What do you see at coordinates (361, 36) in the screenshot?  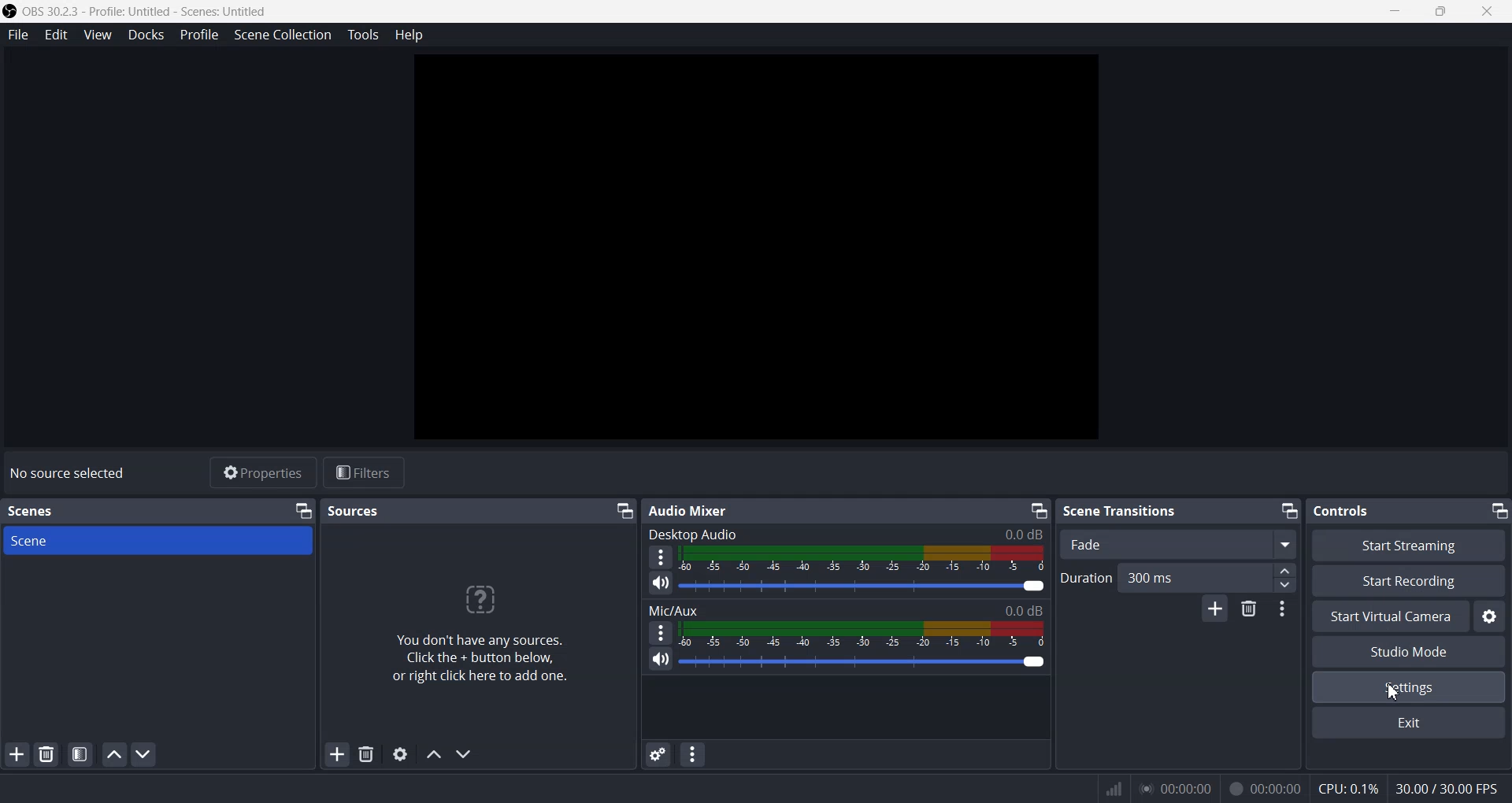 I see `Tools` at bounding box center [361, 36].